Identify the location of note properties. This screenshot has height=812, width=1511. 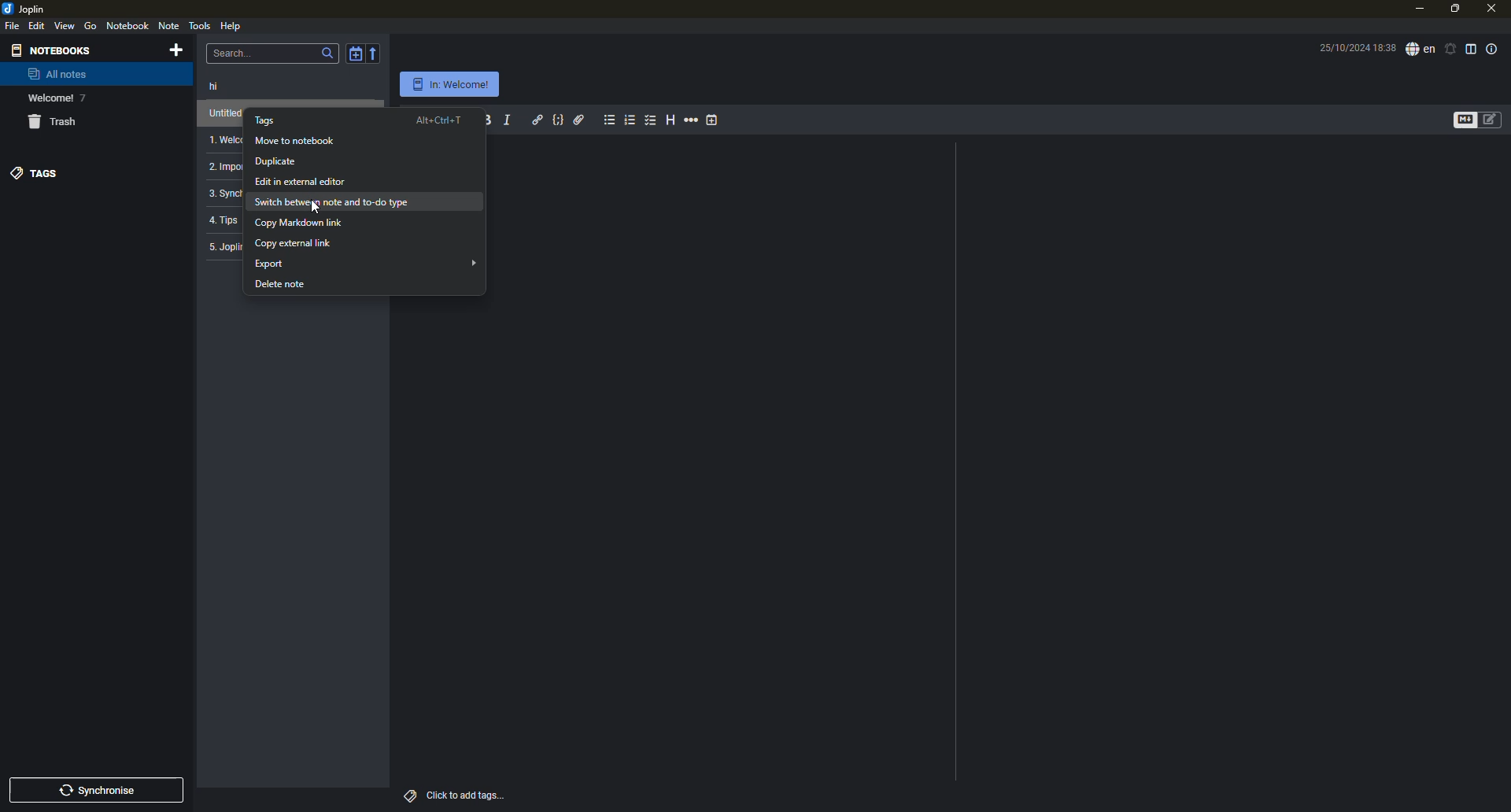
(1494, 49).